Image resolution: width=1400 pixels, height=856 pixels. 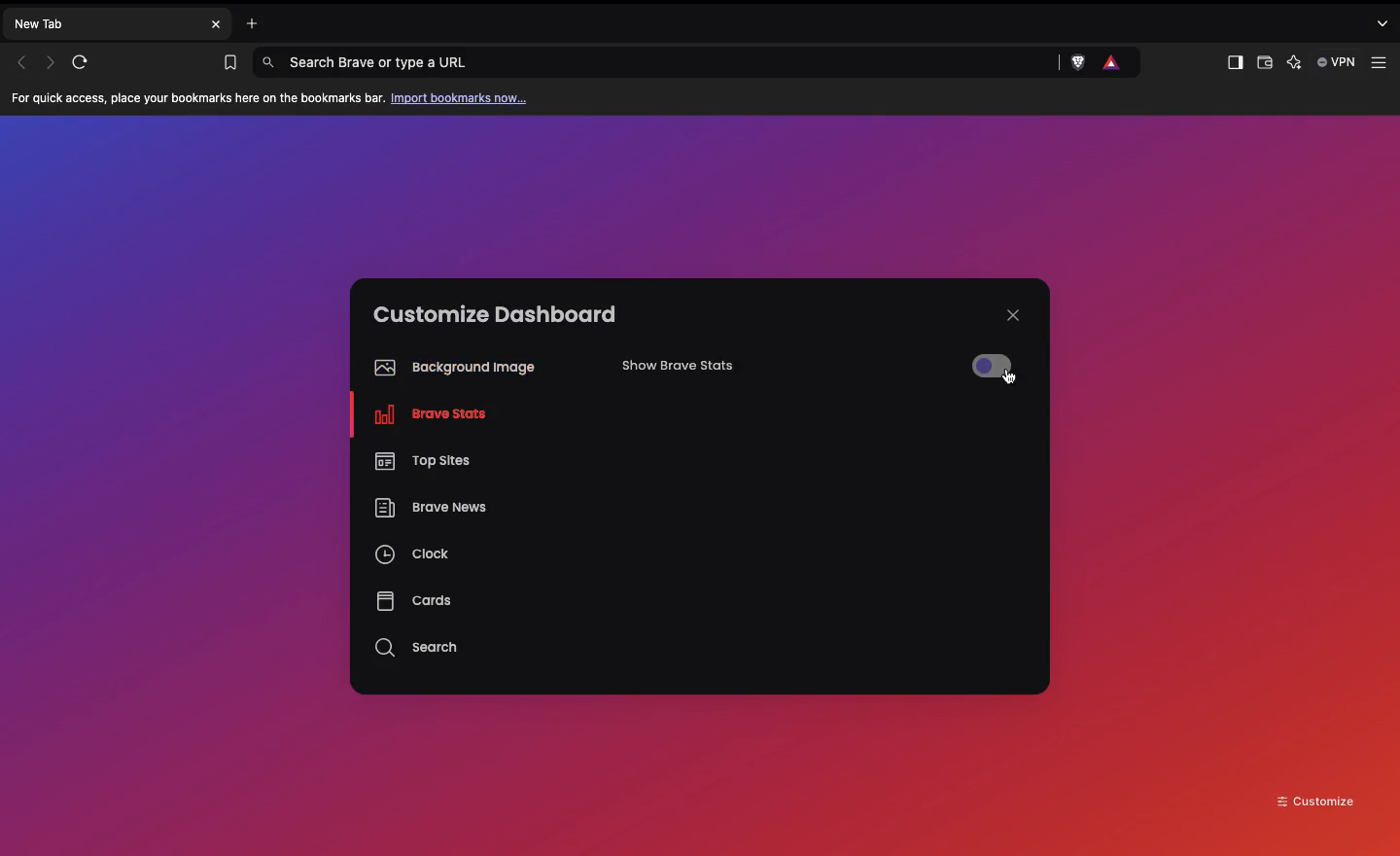 I want to click on Open new tab, so click(x=247, y=21).